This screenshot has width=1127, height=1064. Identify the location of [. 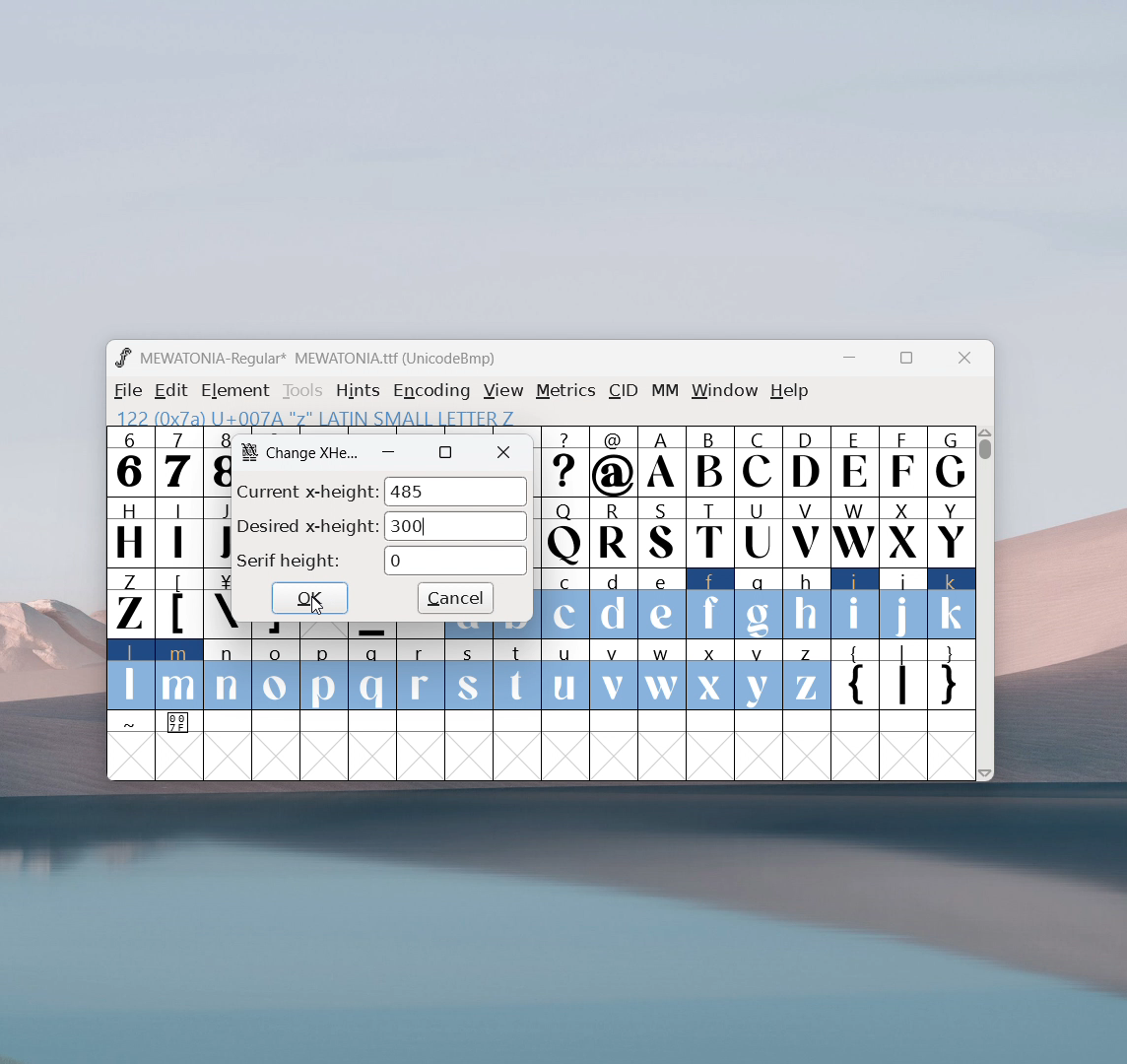
(179, 604).